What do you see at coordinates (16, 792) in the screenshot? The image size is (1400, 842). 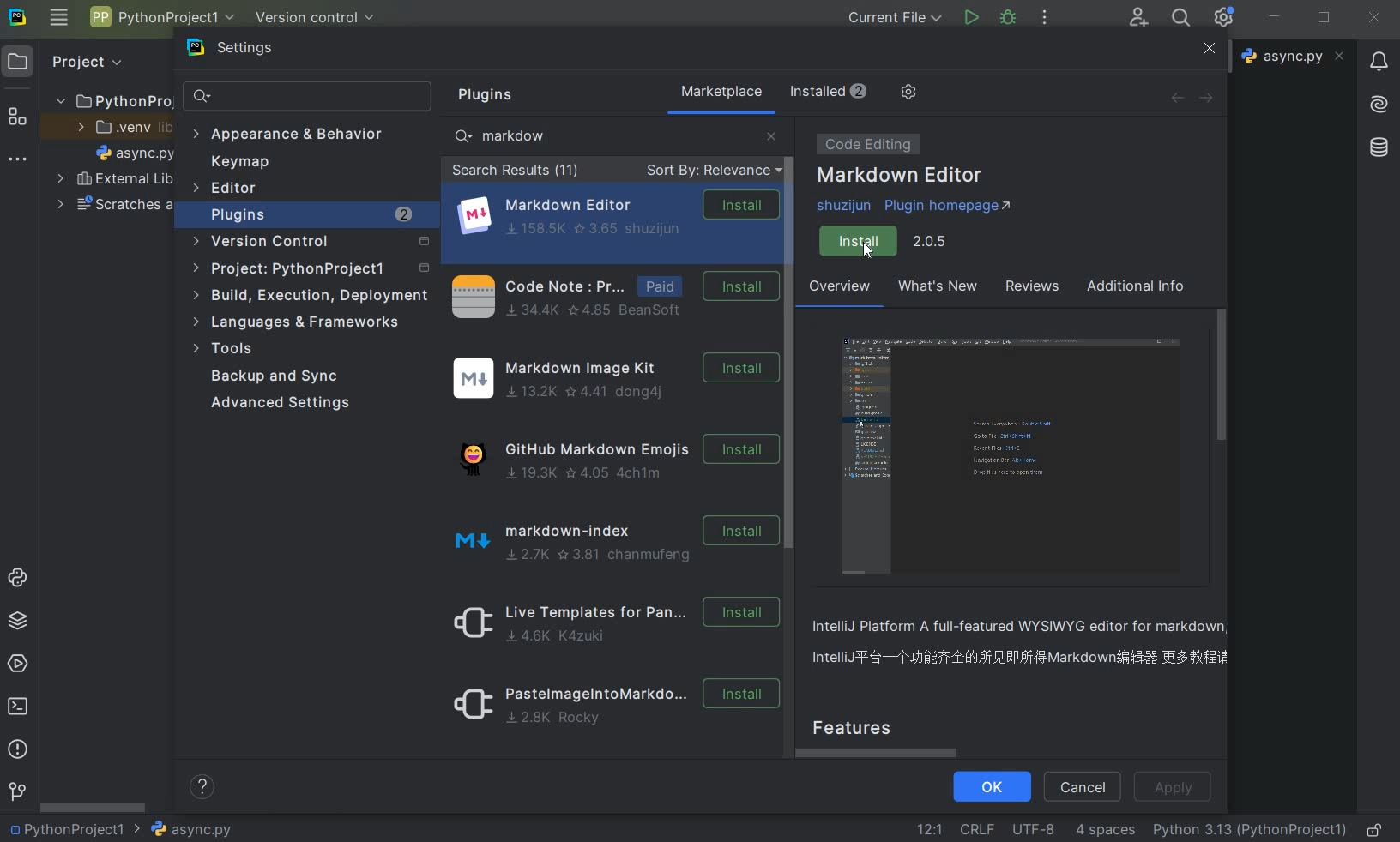 I see `git` at bounding box center [16, 792].